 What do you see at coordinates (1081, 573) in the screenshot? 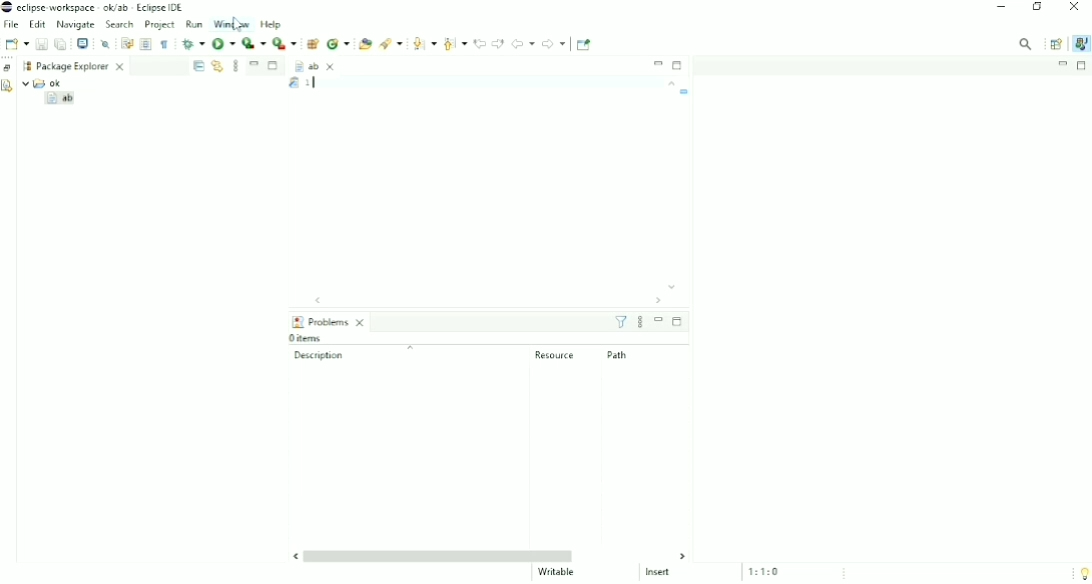
I see `Tip` at bounding box center [1081, 573].